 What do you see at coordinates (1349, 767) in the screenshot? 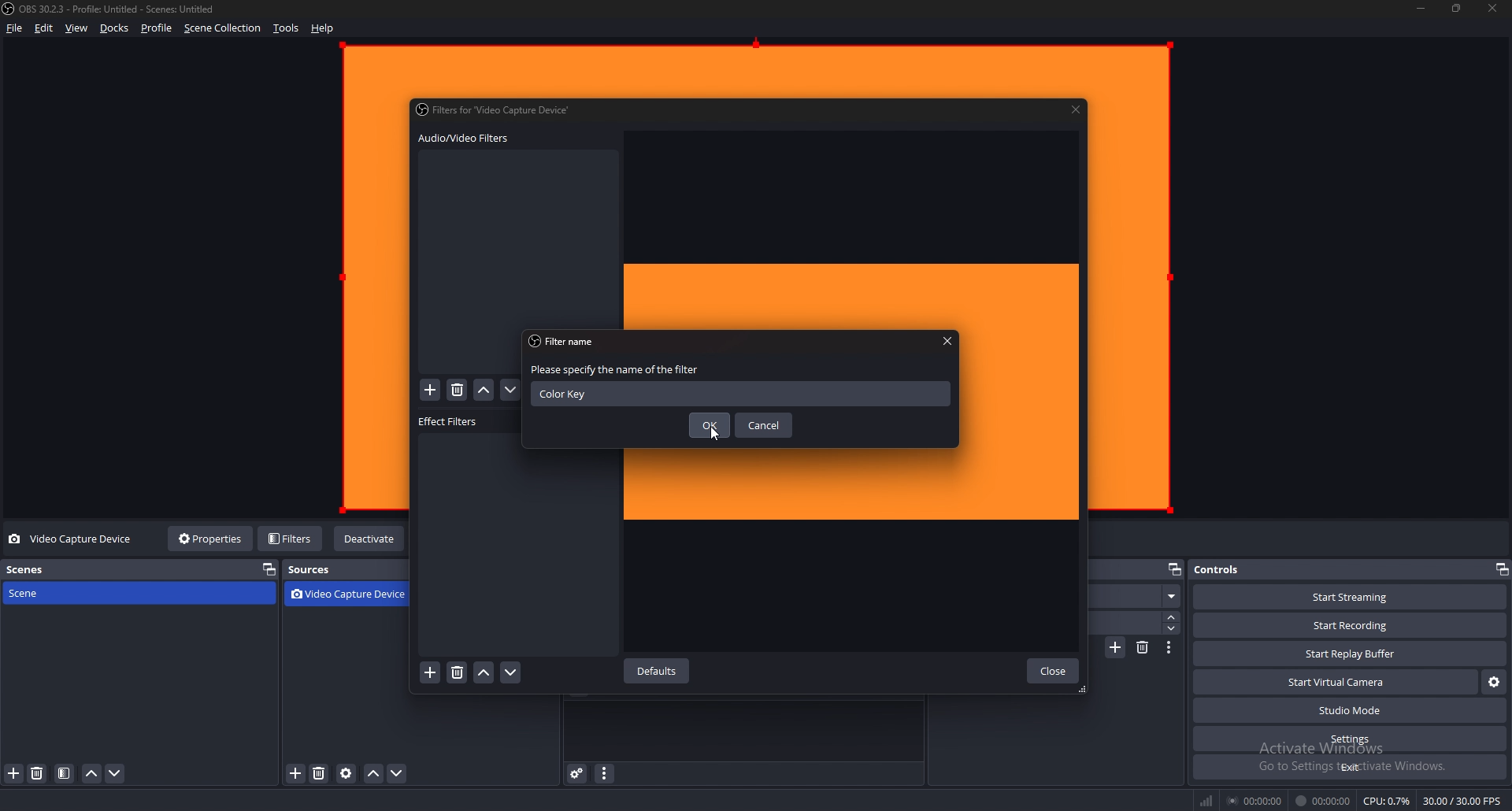
I see `exit` at bounding box center [1349, 767].